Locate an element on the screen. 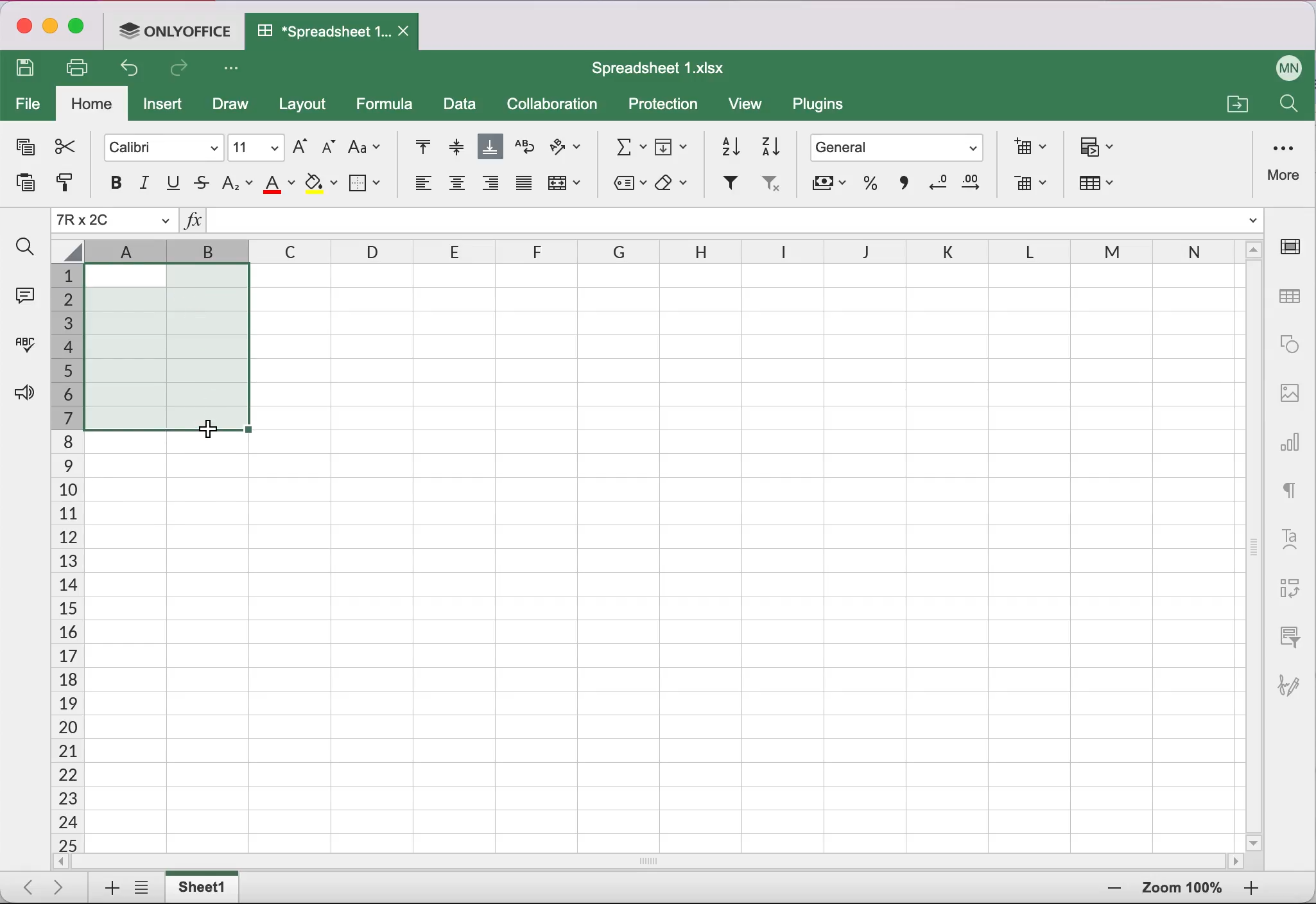 Image resolution: width=1316 pixels, height=904 pixels. image is located at coordinates (1290, 391).